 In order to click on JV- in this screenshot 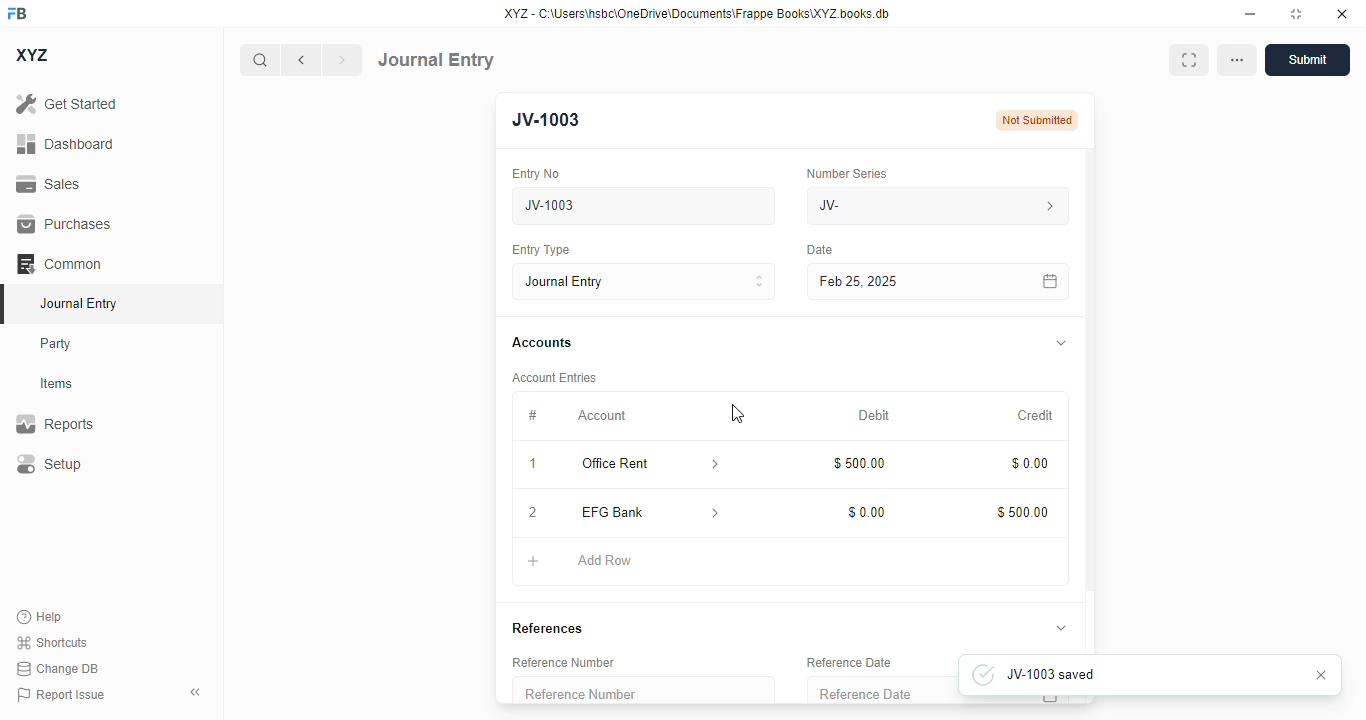, I will do `click(894, 206)`.